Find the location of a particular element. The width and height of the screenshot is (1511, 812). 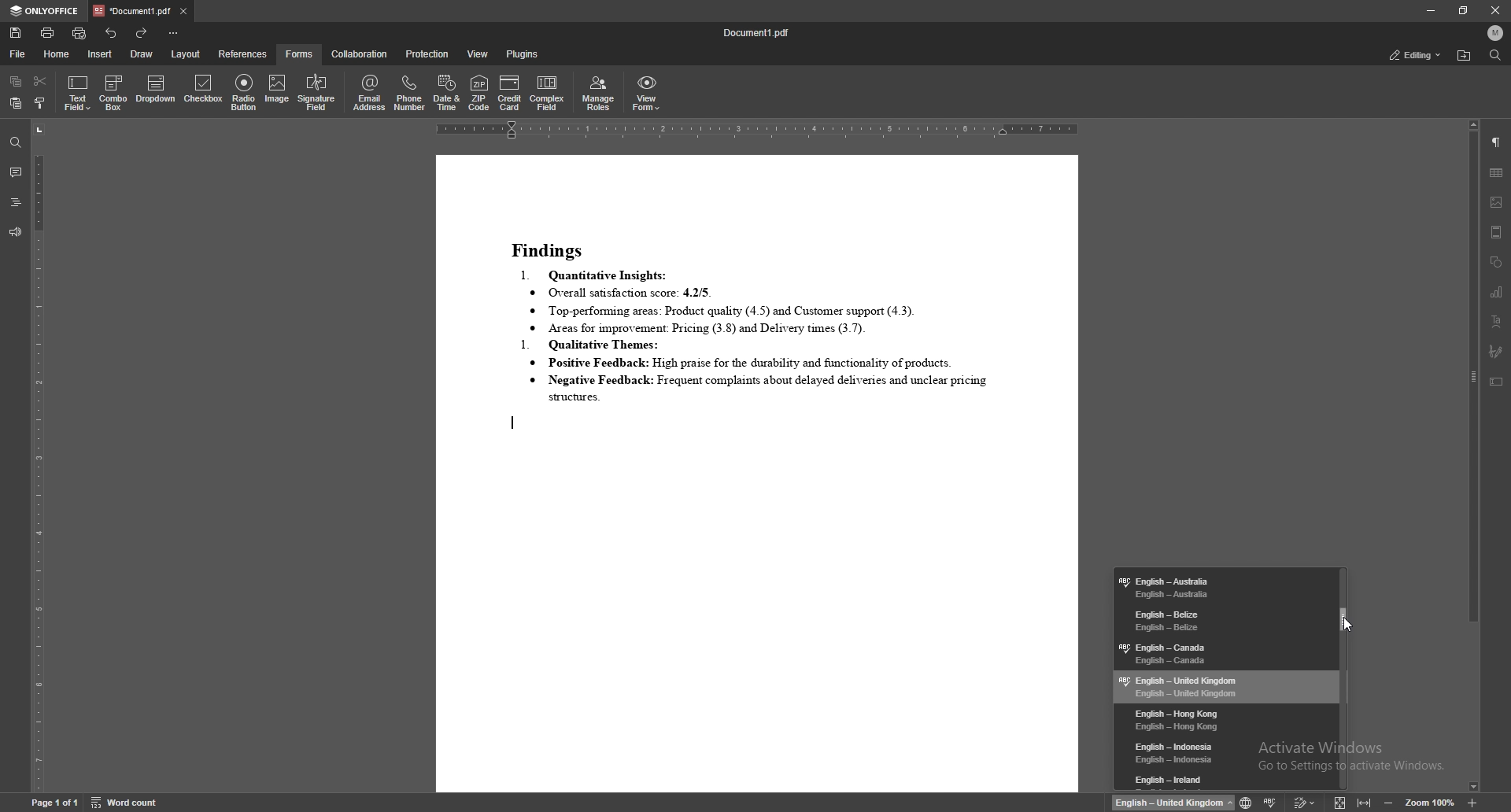

plugins is located at coordinates (523, 54).